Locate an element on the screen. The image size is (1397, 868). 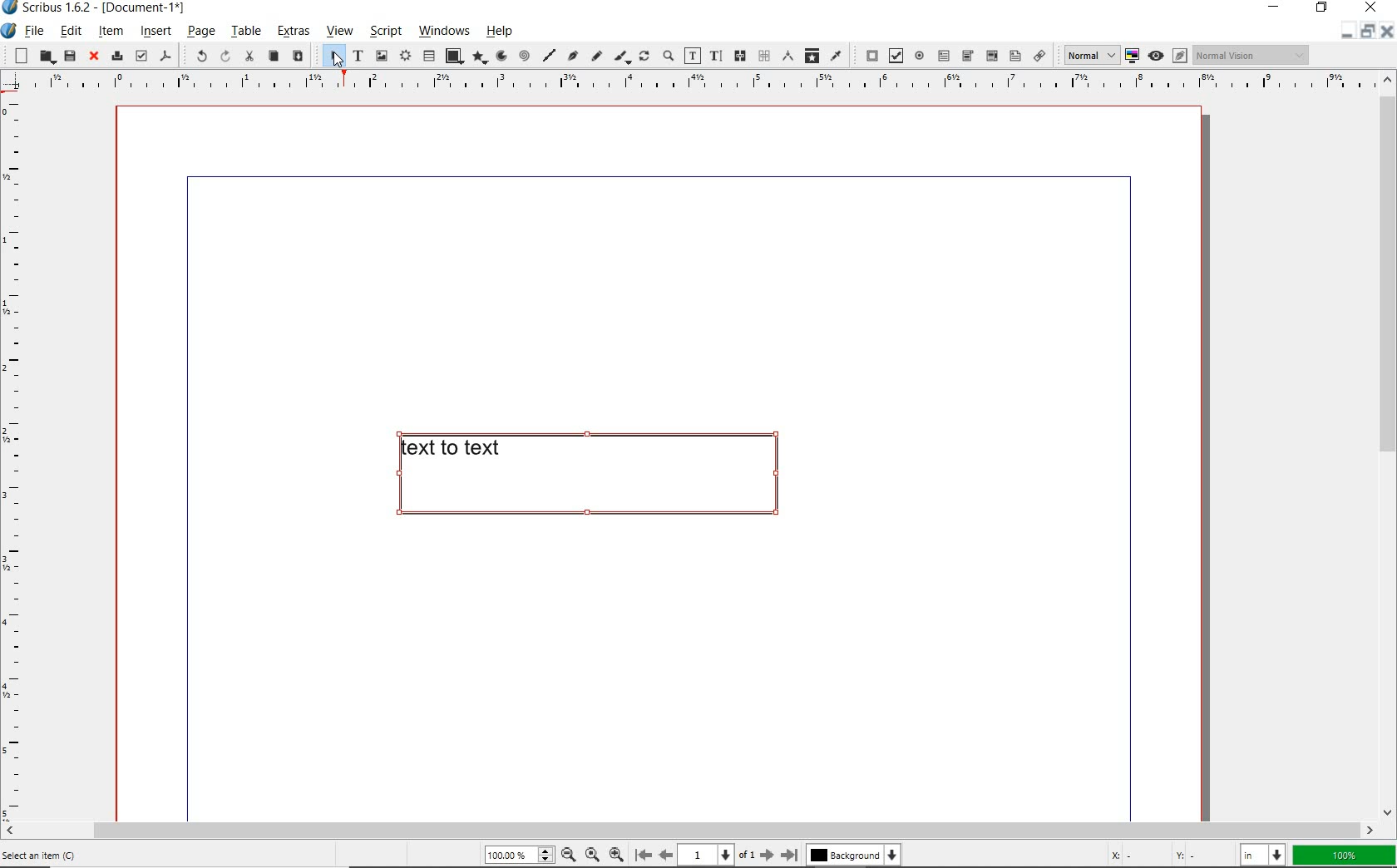
render frame is located at coordinates (405, 57).